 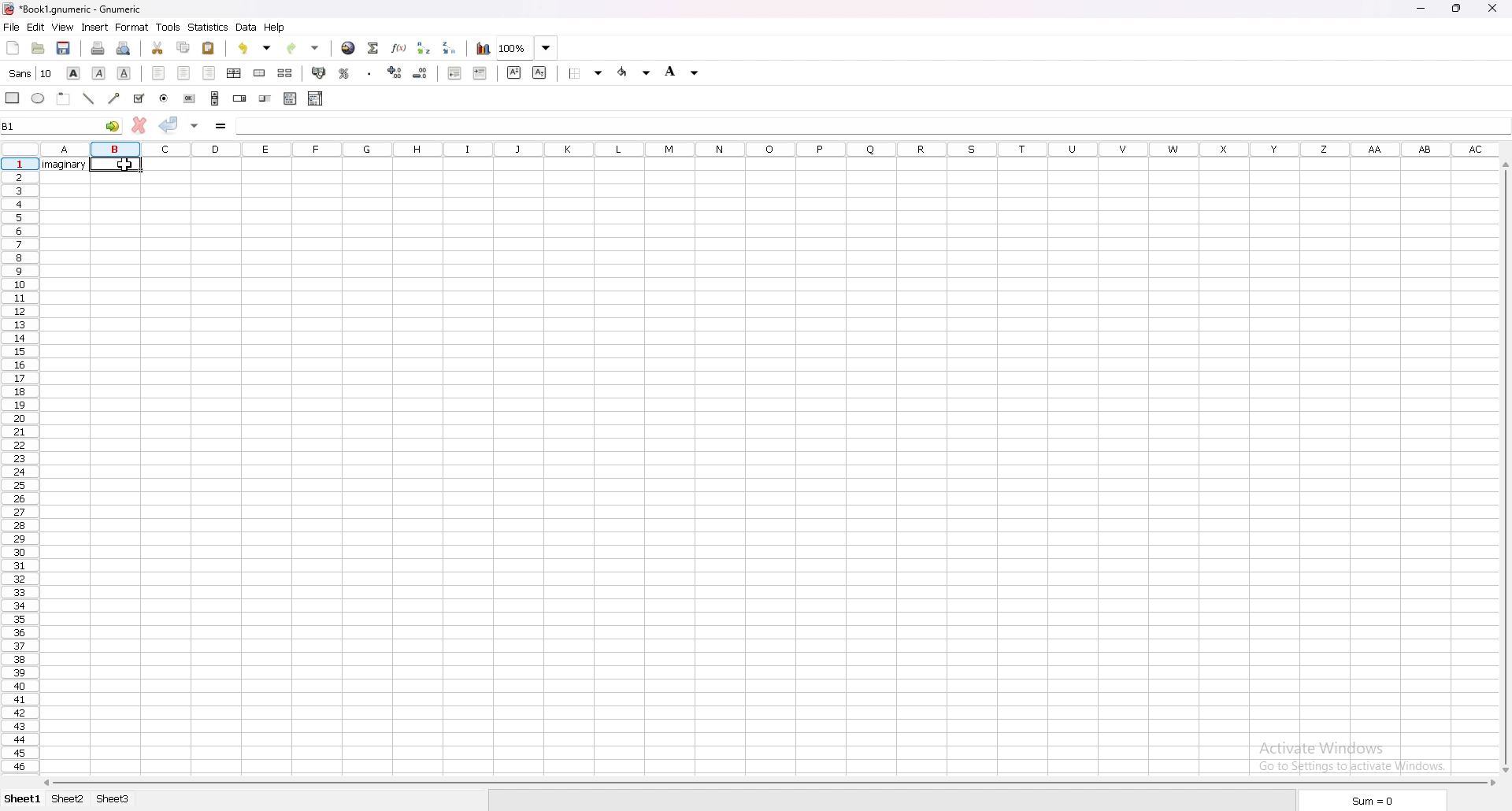 I want to click on thousands separator, so click(x=369, y=72).